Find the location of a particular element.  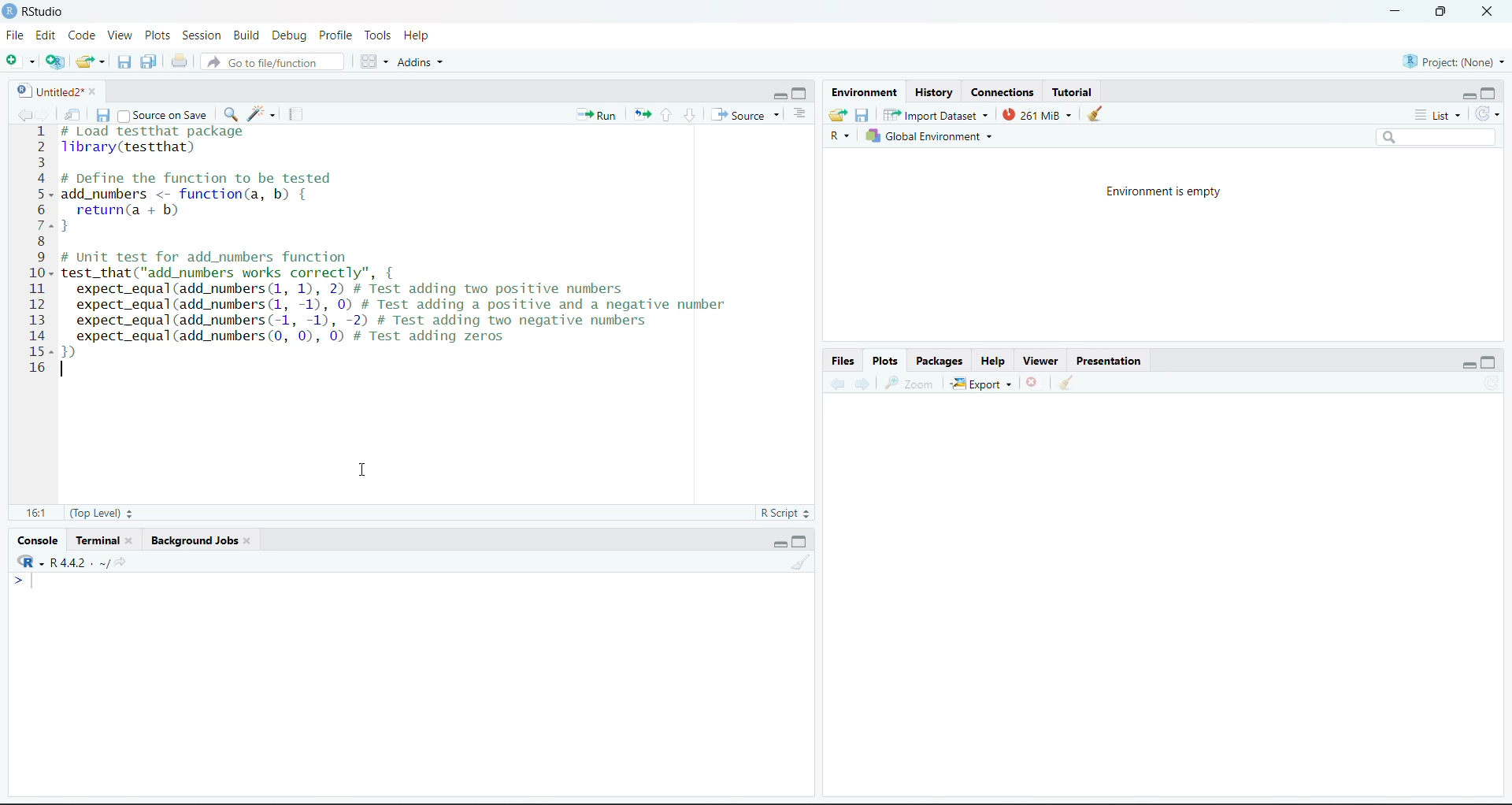

Stepper buttons is located at coordinates (810, 513).